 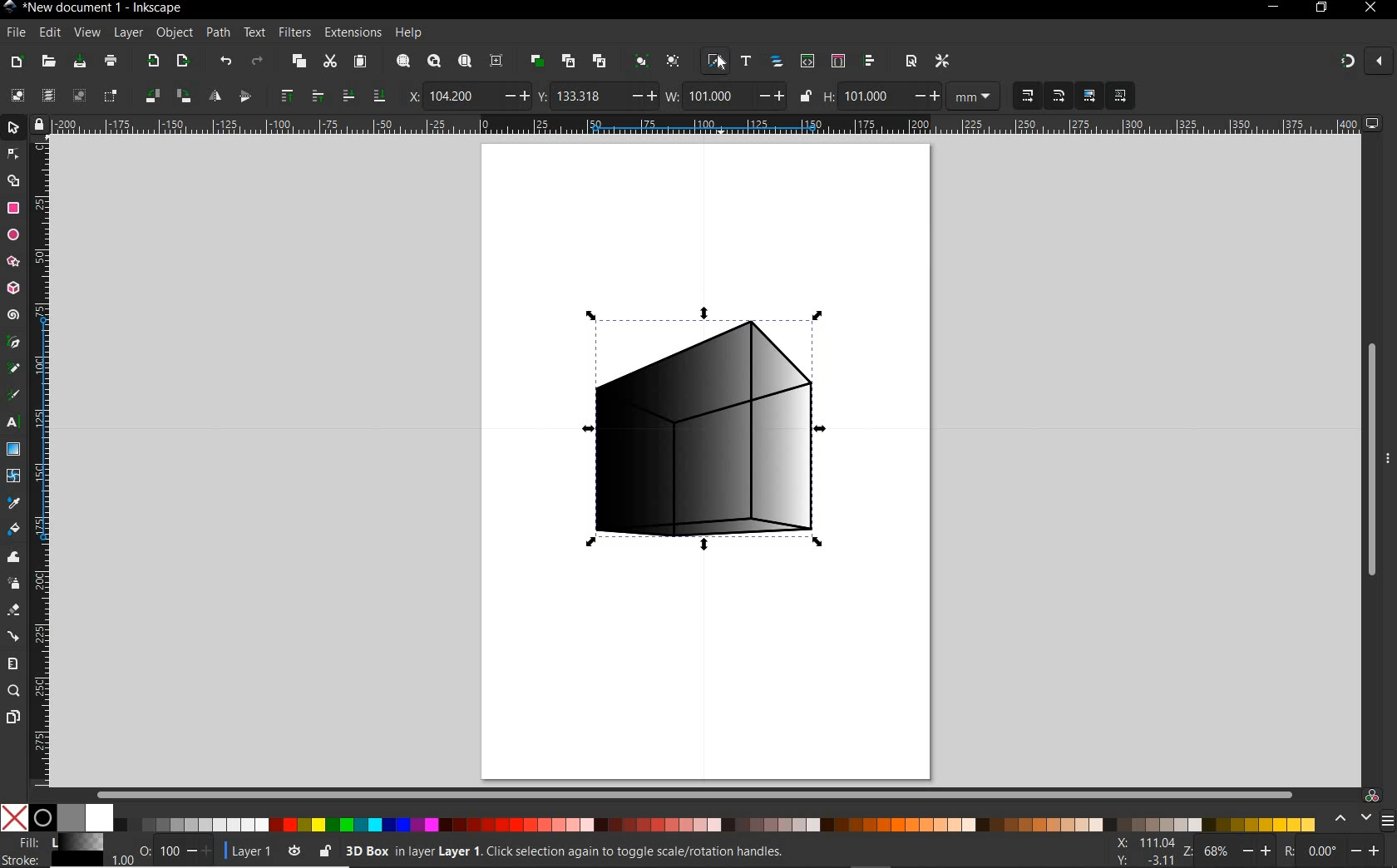 I want to click on PENCIL TOOL, so click(x=14, y=370).